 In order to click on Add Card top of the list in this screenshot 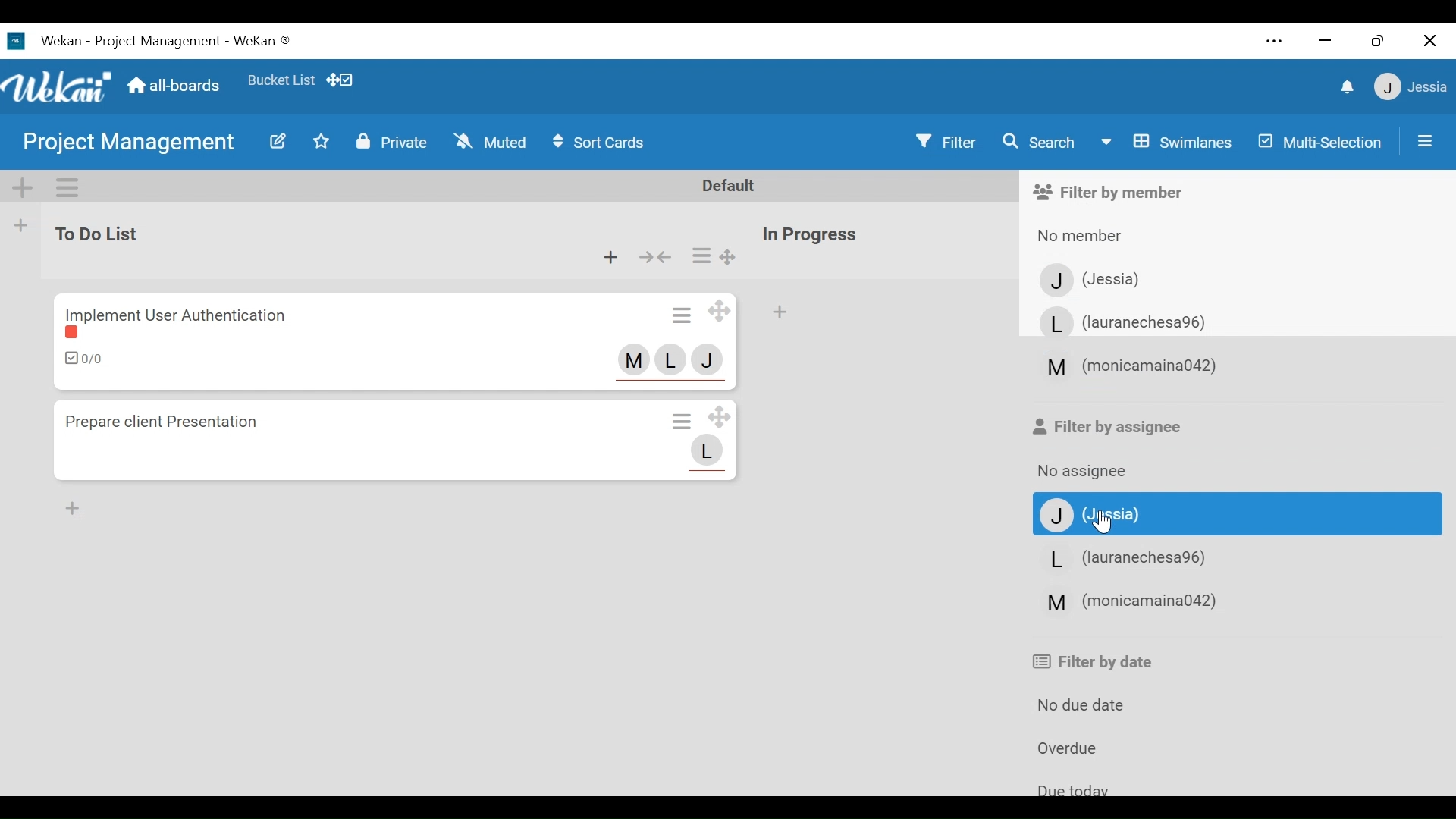, I will do `click(779, 313)`.